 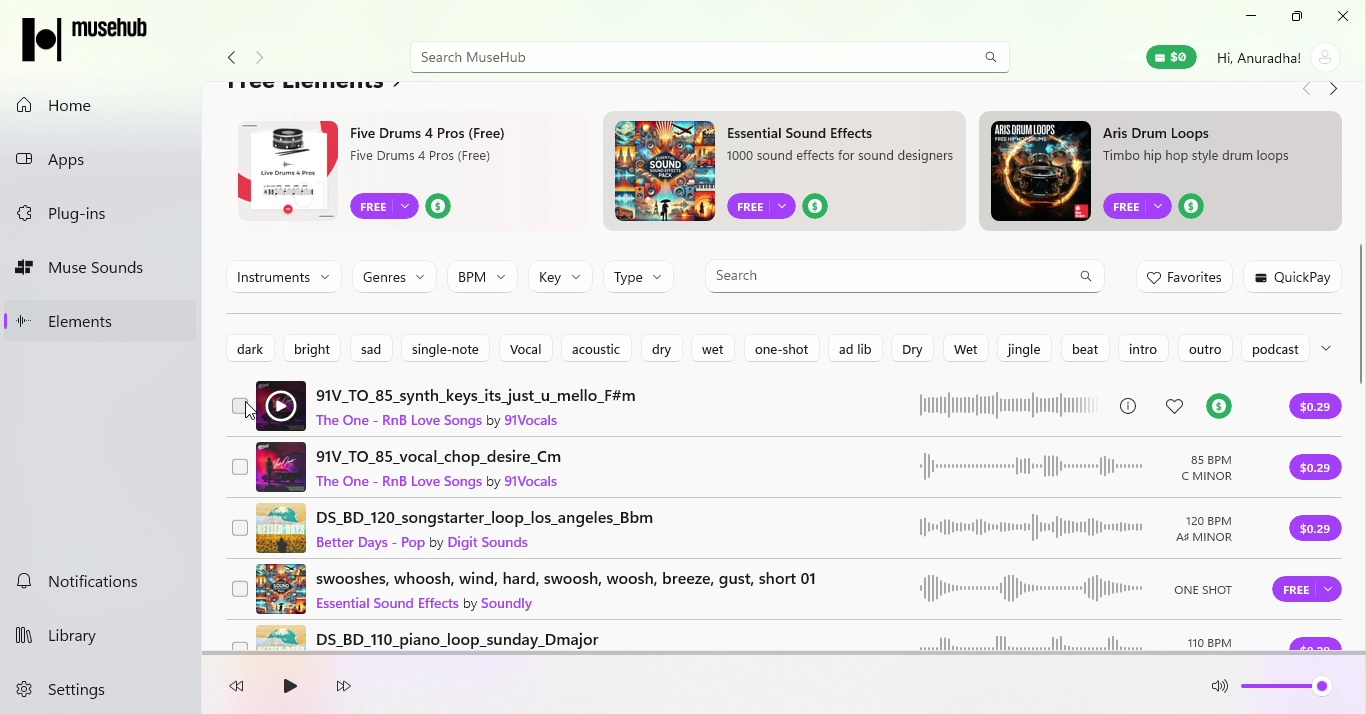 What do you see at coordinates (758, 463) in the screenshot?
I see `91V1_TO_85_vocal_Chop_desire_CM` at bounding box center [758, 463].